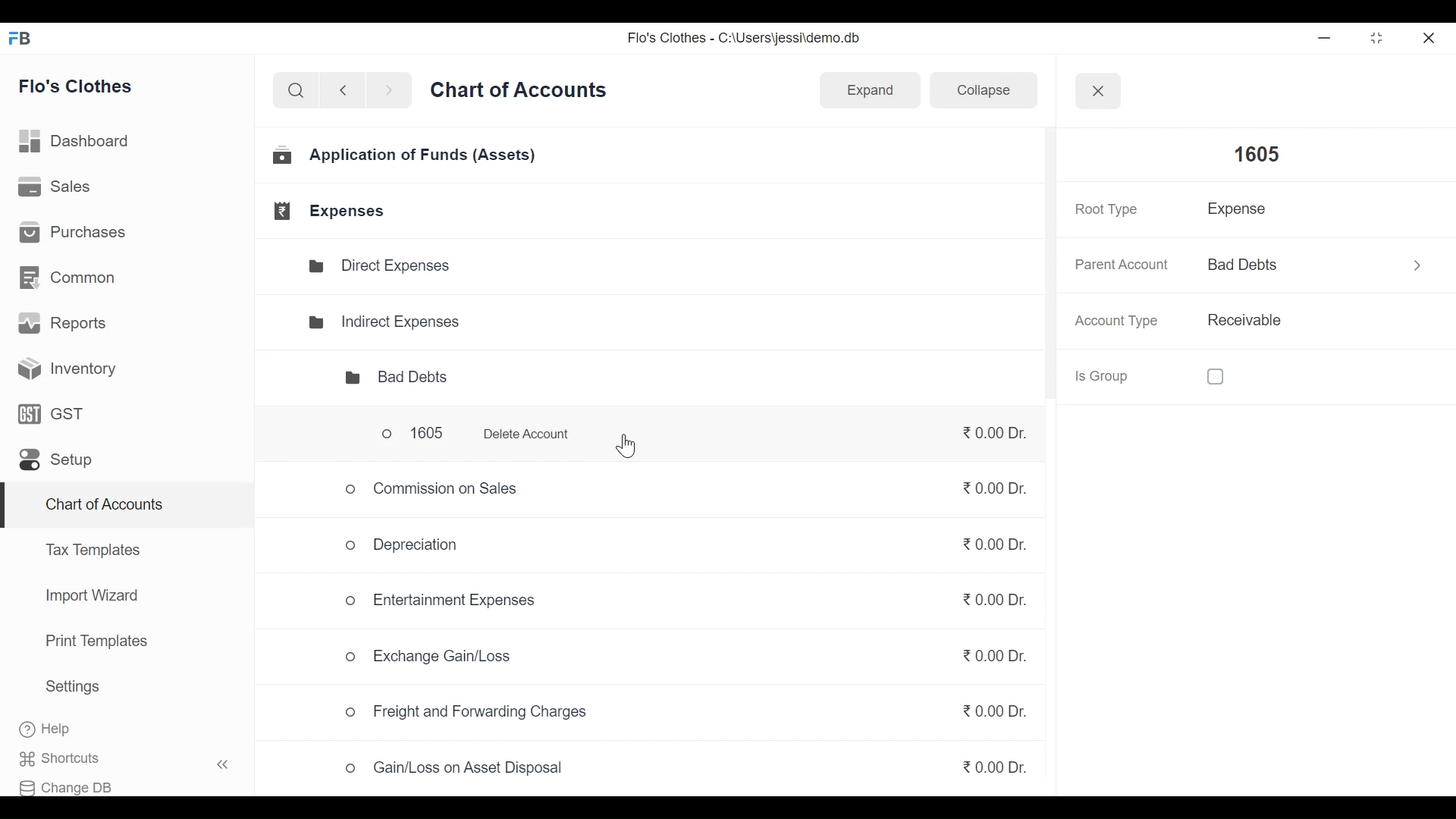  I want to click on back, so click(349, 93).